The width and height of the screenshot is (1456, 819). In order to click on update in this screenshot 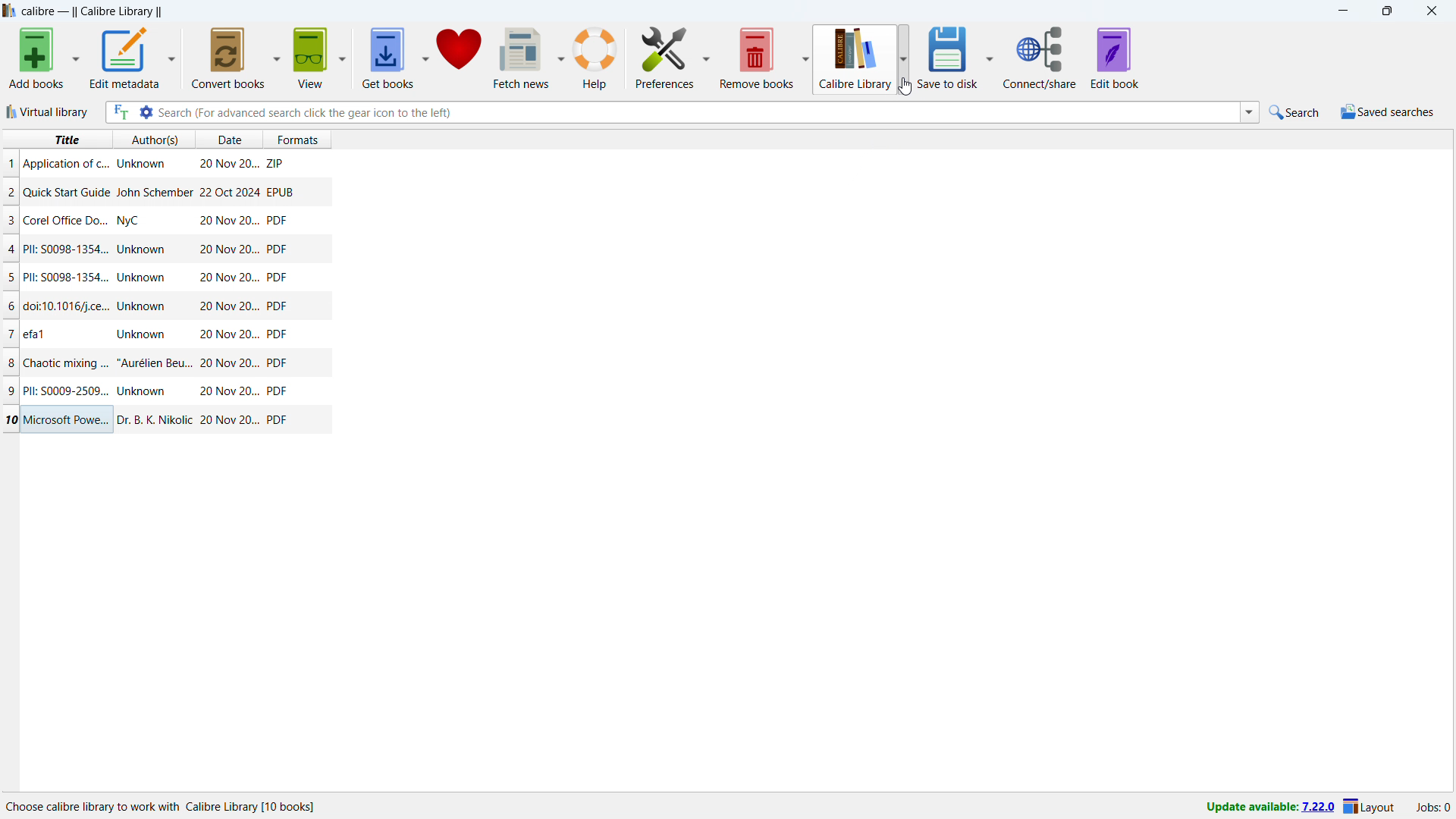, I will do `click(1269, 808)`.